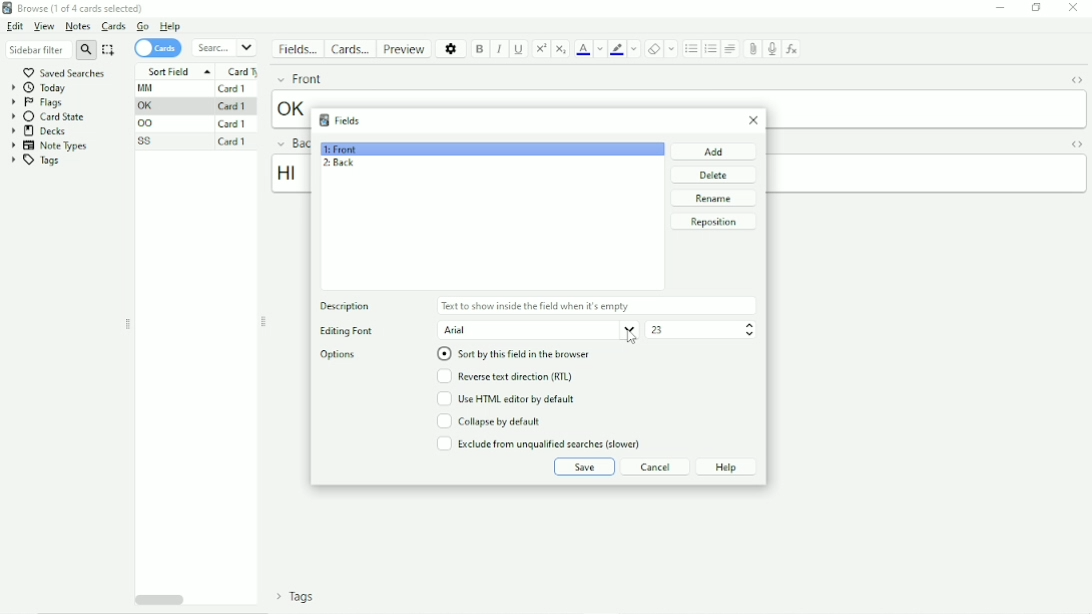 This screenshot has height=614, width=1092. Describe the element at coordinates (43, 26) in the screenshot. I see `View` at that location.